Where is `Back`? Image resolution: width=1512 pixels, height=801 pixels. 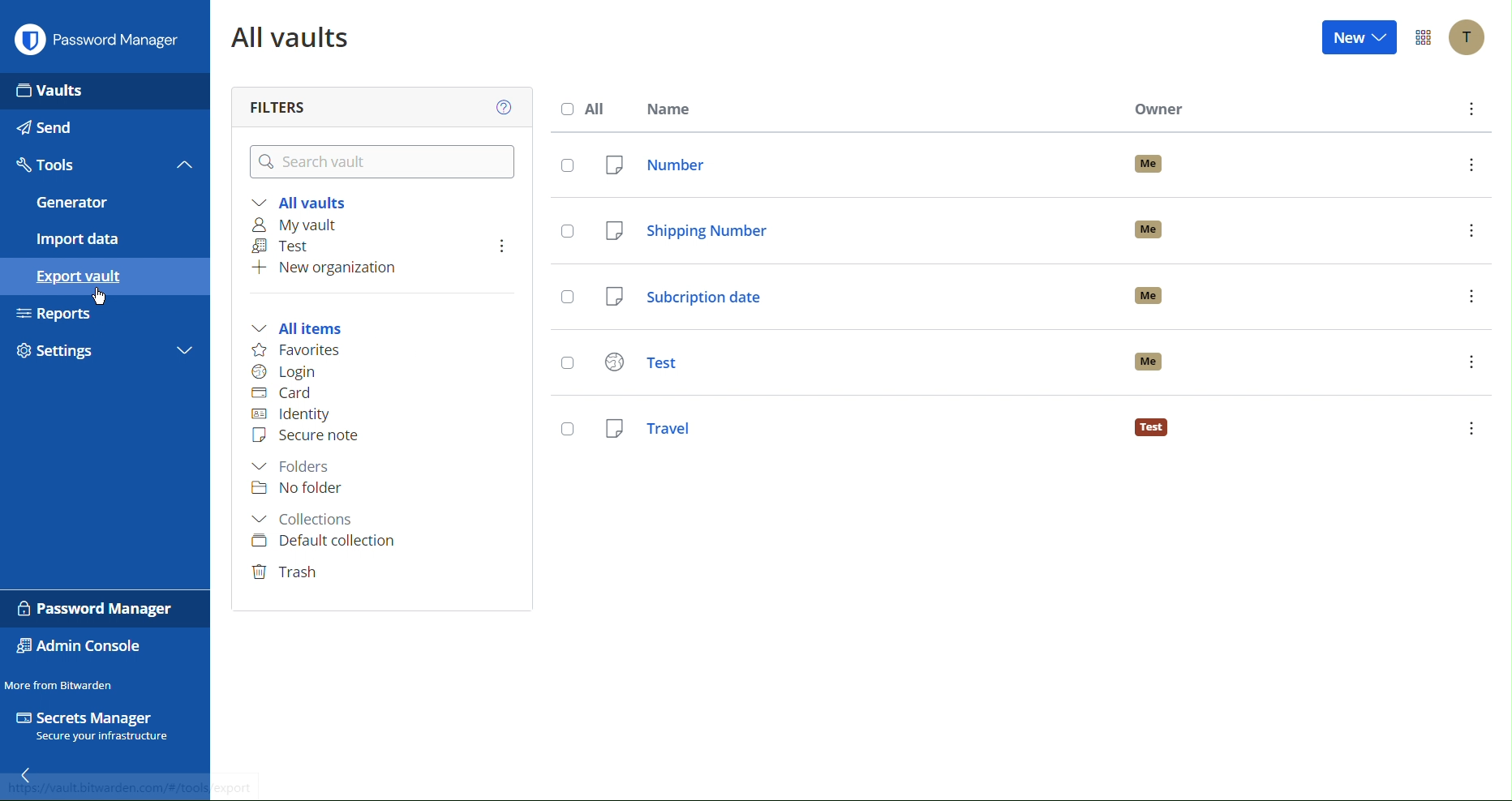 Back is located at coordinates (32, 779).